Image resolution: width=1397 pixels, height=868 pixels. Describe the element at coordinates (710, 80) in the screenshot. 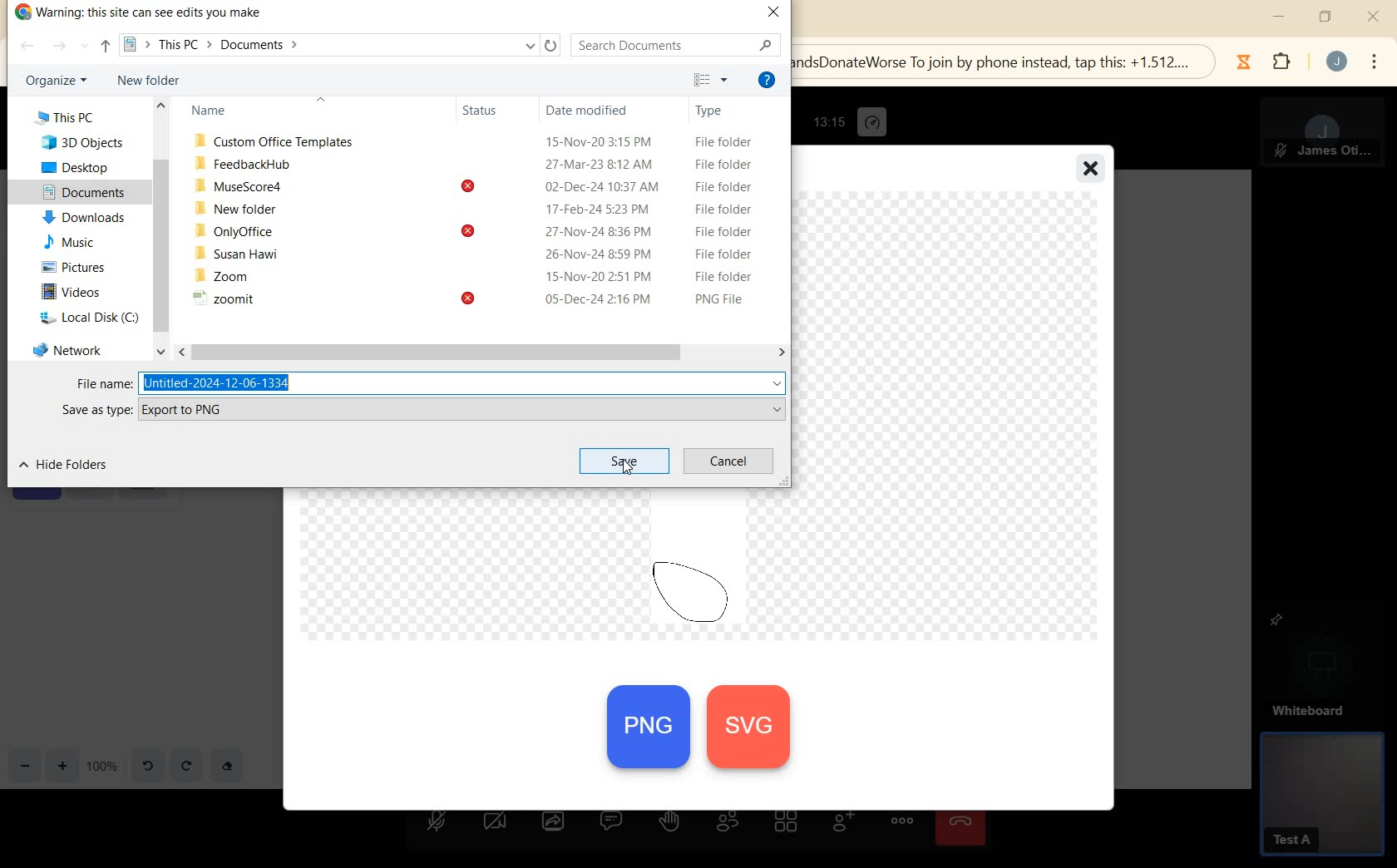

I see `TOGGLE VIEW` at that location.